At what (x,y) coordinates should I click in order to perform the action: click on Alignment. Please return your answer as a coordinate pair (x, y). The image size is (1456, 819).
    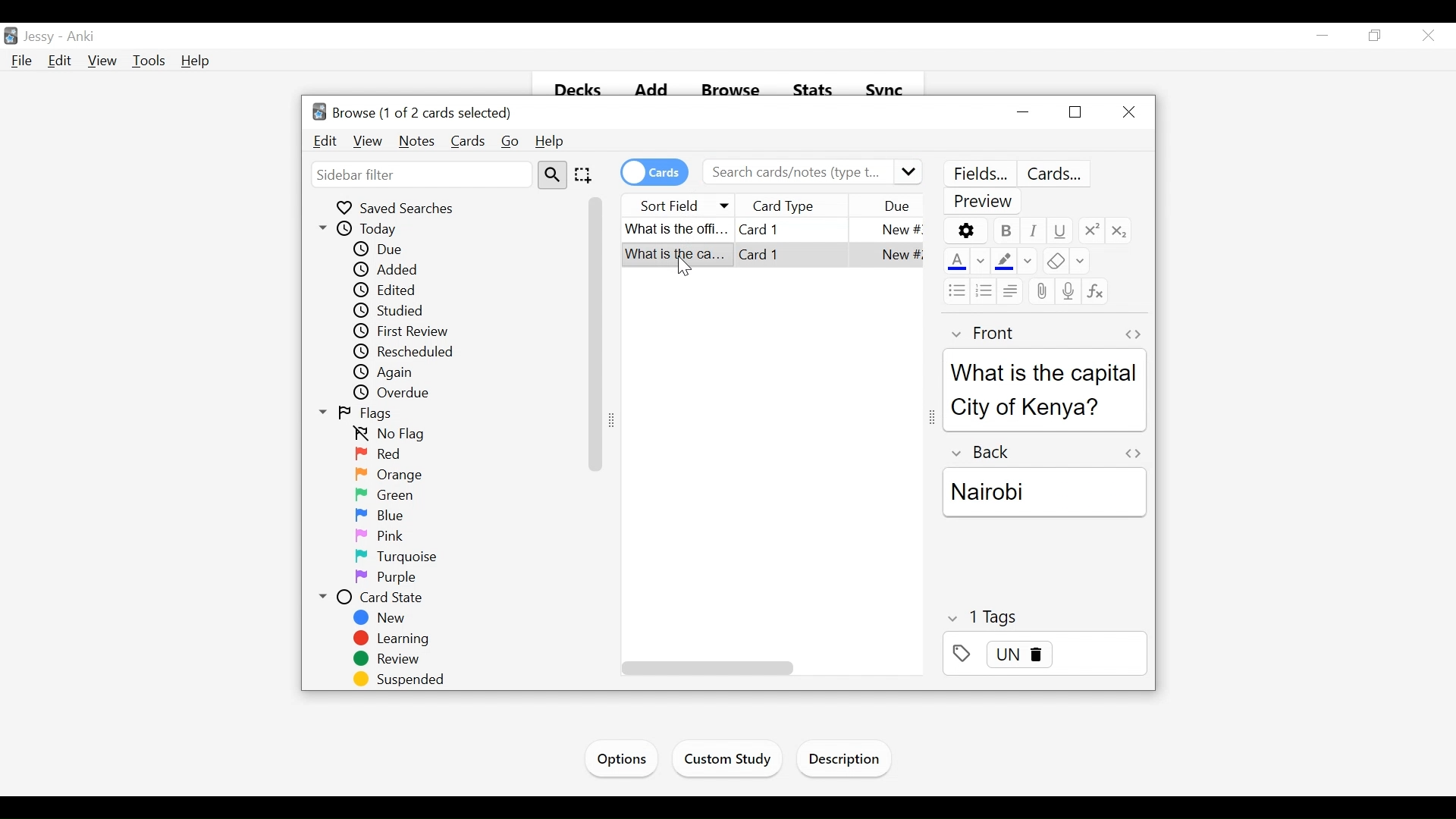
    Looking at the image, I should click on (1009, 290).